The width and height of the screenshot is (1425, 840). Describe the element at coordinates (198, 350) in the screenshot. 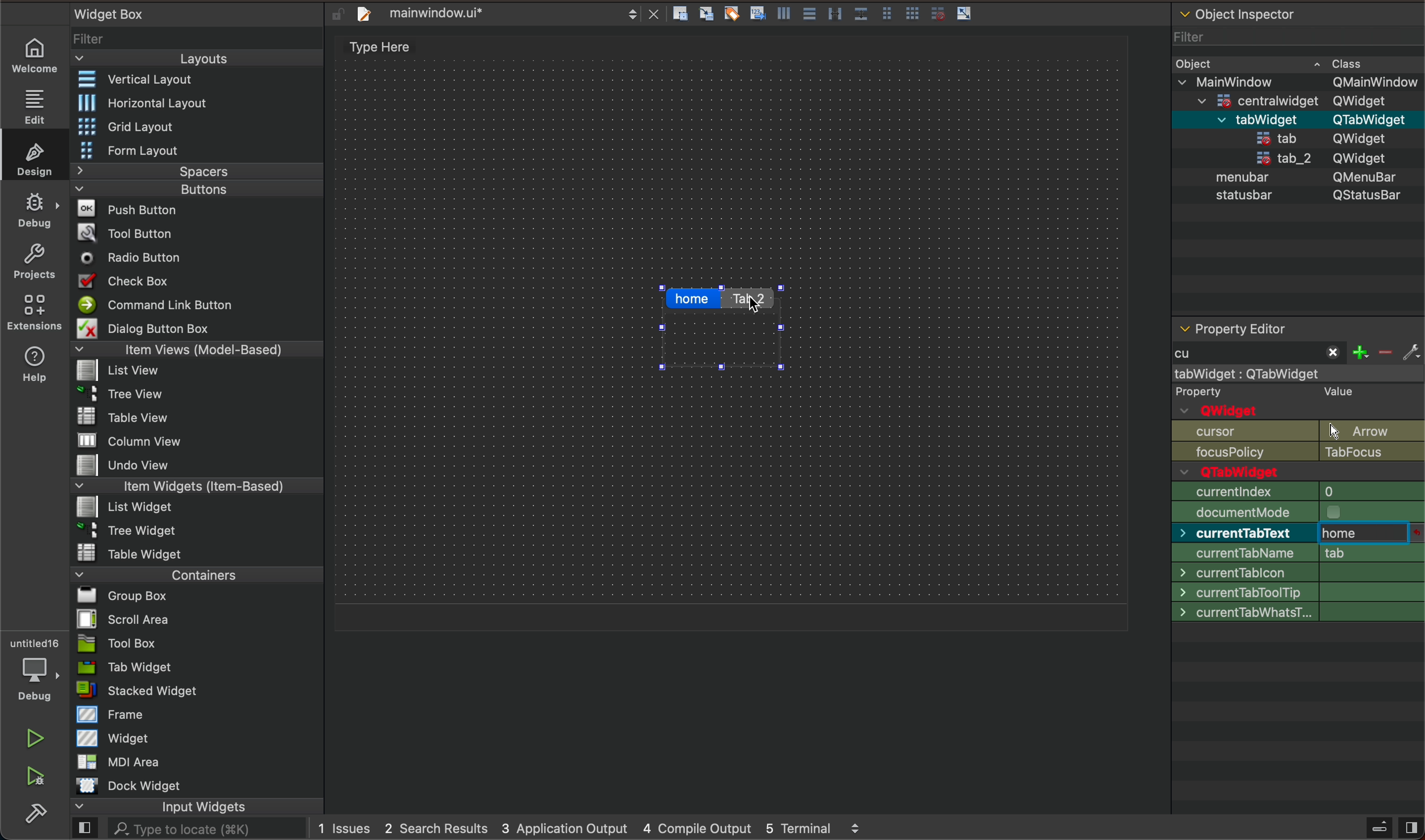

I see `Item Views (Model-Based)` at that location.